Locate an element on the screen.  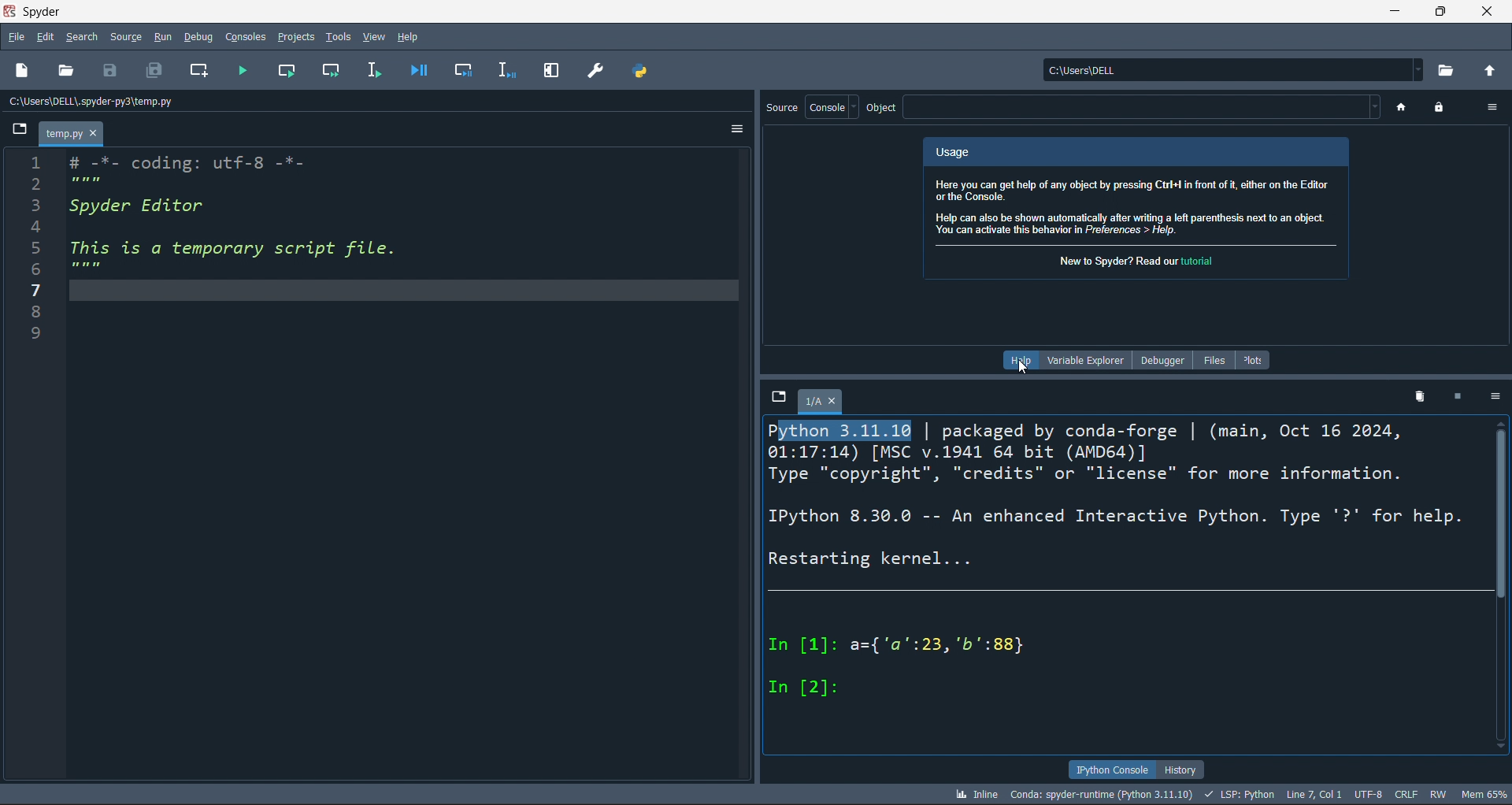
edit  is located at coordinates (46, 35).